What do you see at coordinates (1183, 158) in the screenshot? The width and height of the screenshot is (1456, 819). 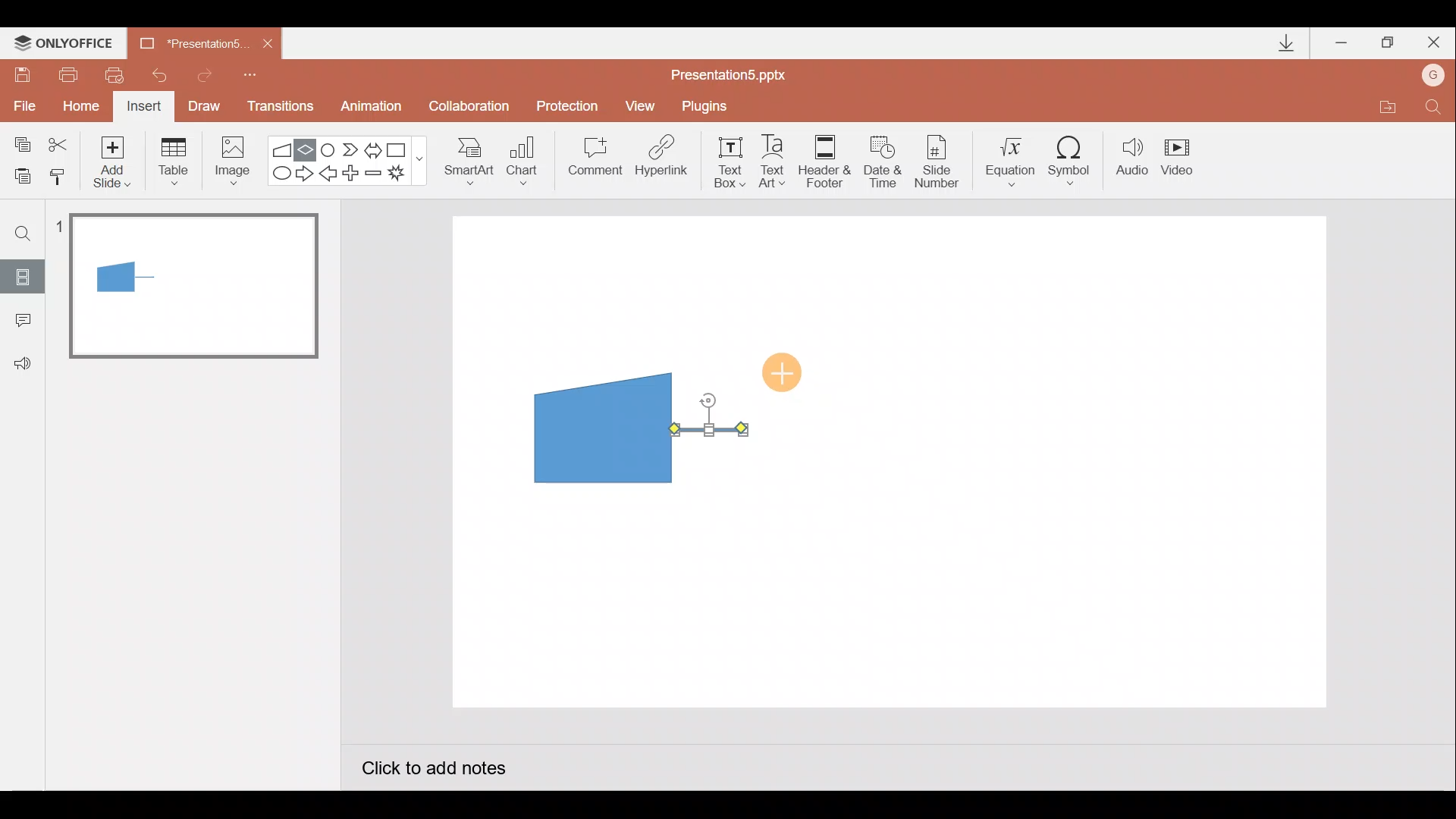 I see `Video` at bounding box center [1183, 158].